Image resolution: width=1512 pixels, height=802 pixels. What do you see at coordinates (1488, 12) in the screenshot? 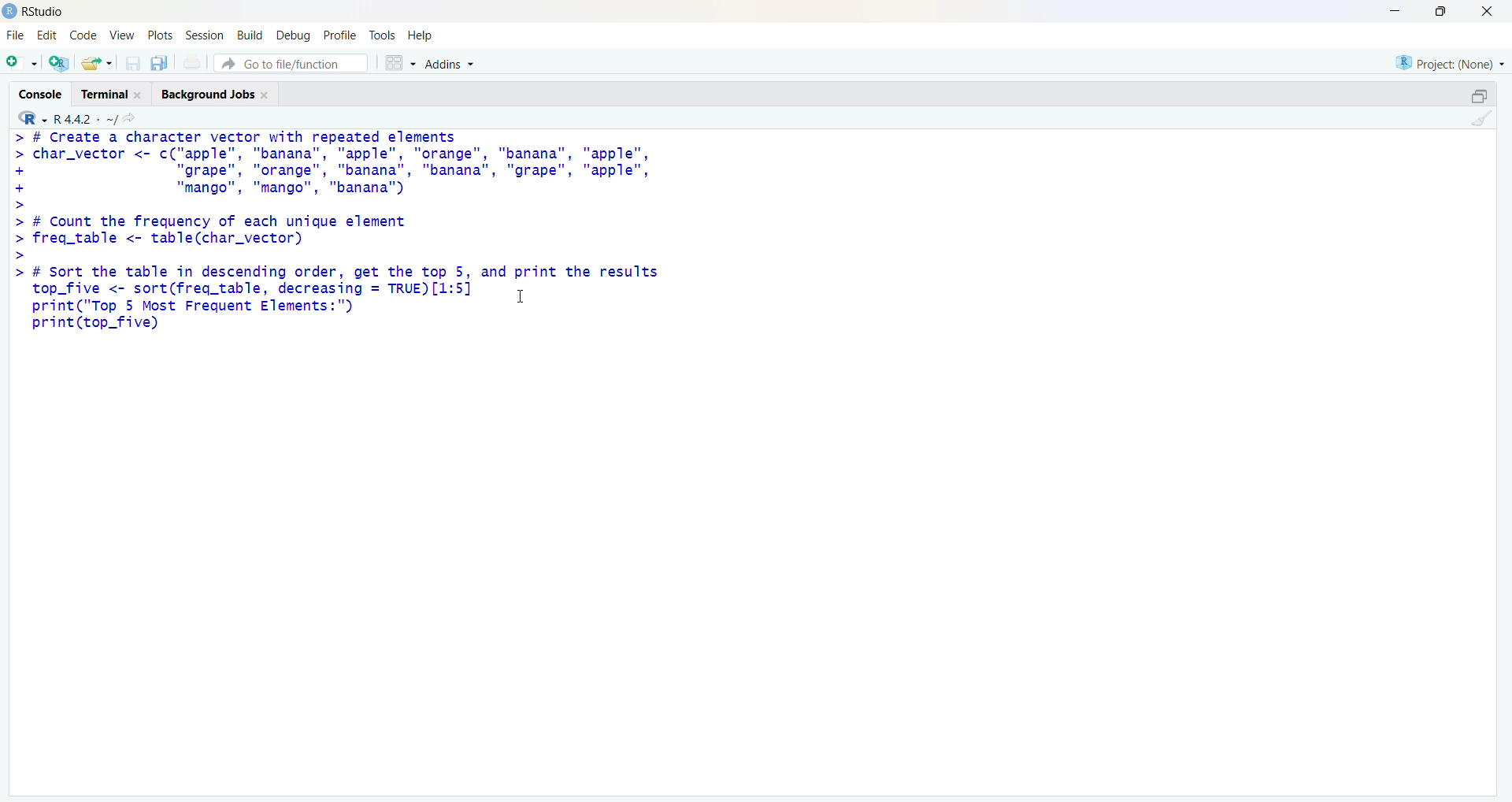
I see `Close` at bounding box center [1488, 12].